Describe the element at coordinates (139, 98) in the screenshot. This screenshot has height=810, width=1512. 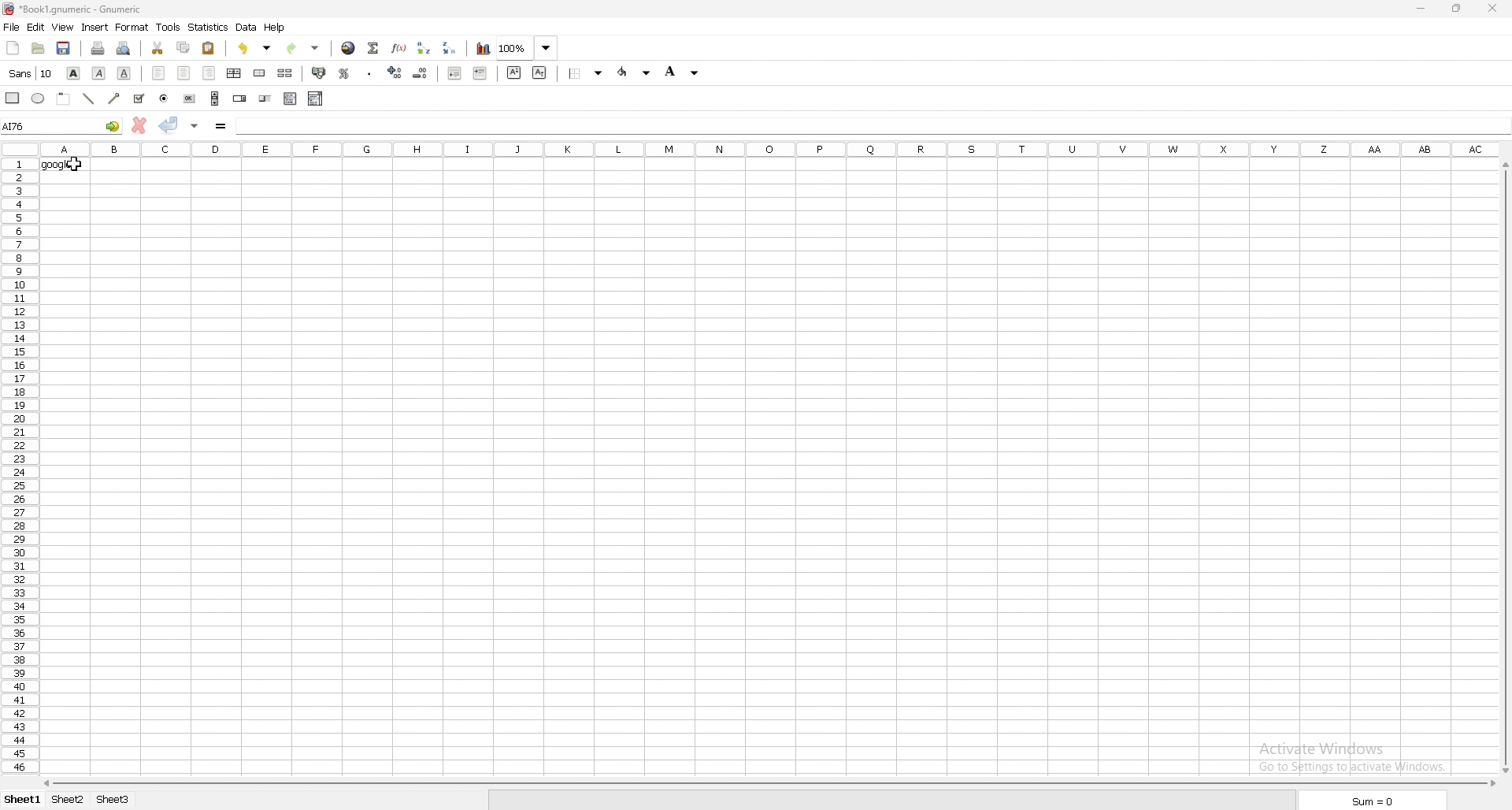
I see `tickbox` at that location.